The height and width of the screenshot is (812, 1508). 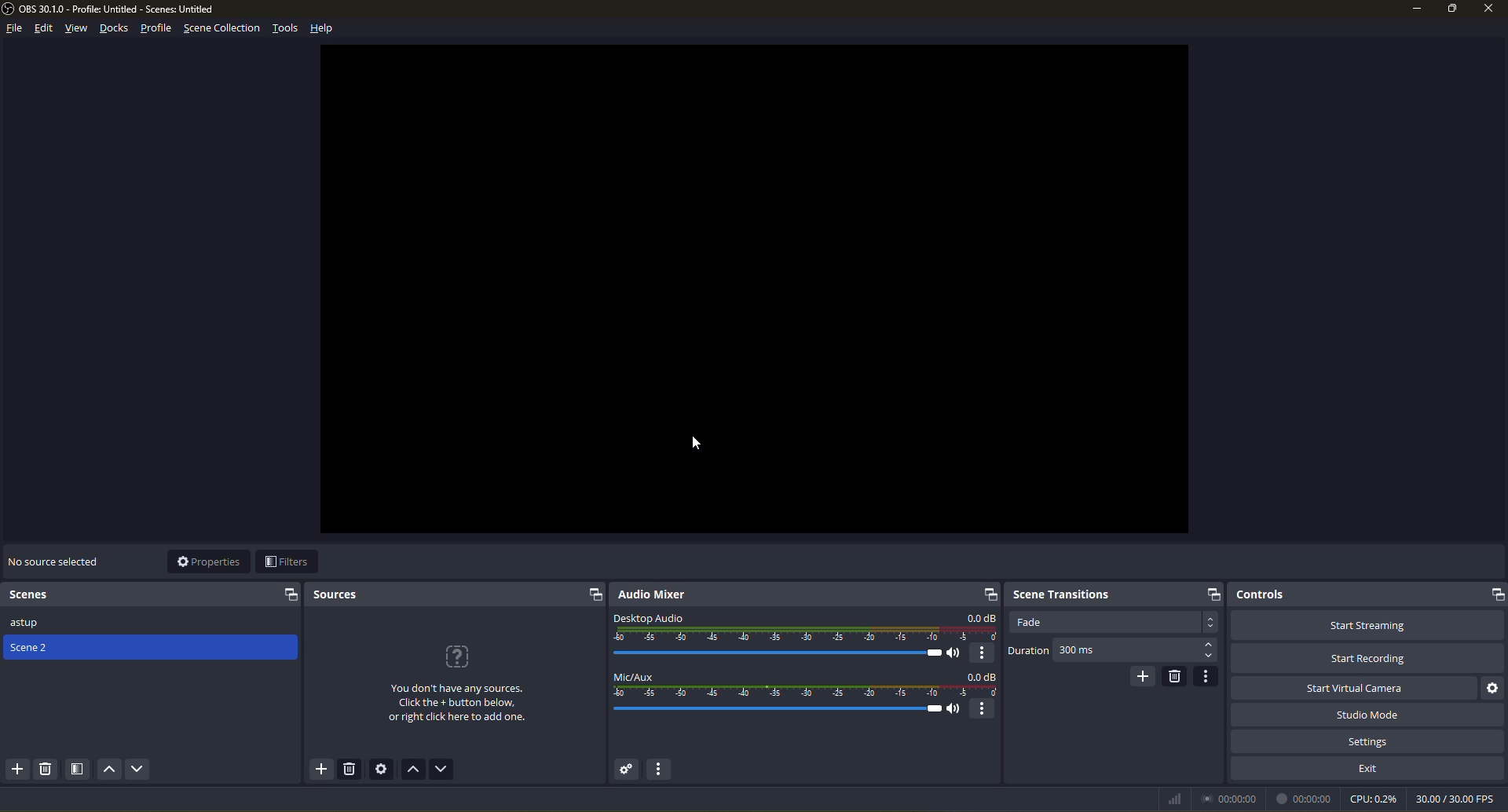 I want to click on start recording, so click(x=1368, y=657).